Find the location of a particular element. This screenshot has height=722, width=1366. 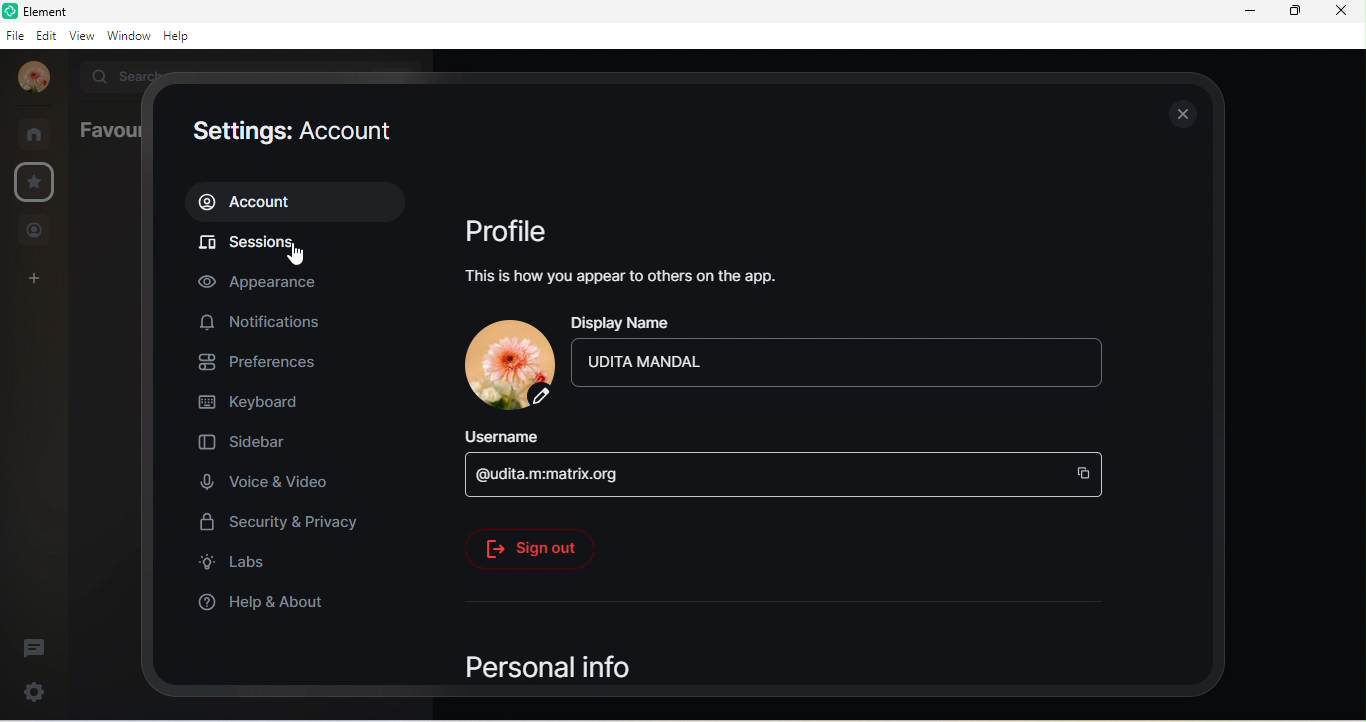

file is located at coordinates (14, 37).